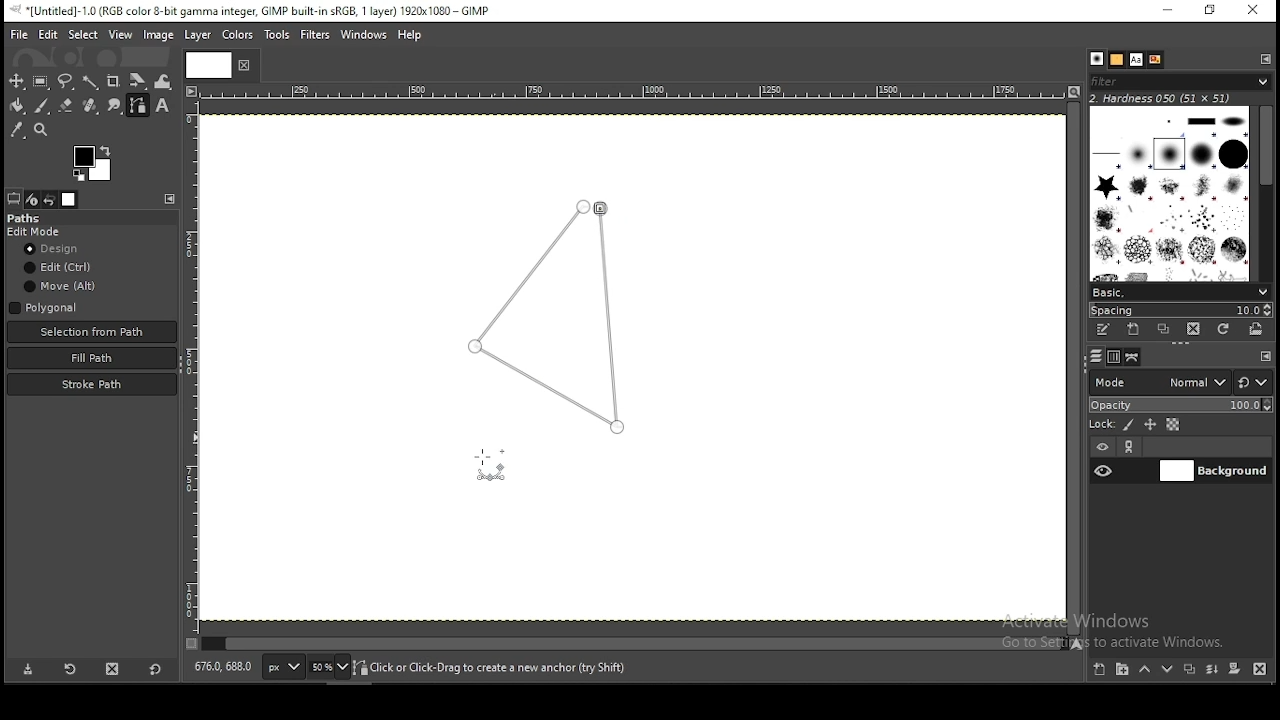 The height and width of the screenshot is (720, 1280). I want to click on configure this tab, so click(1268, 356).